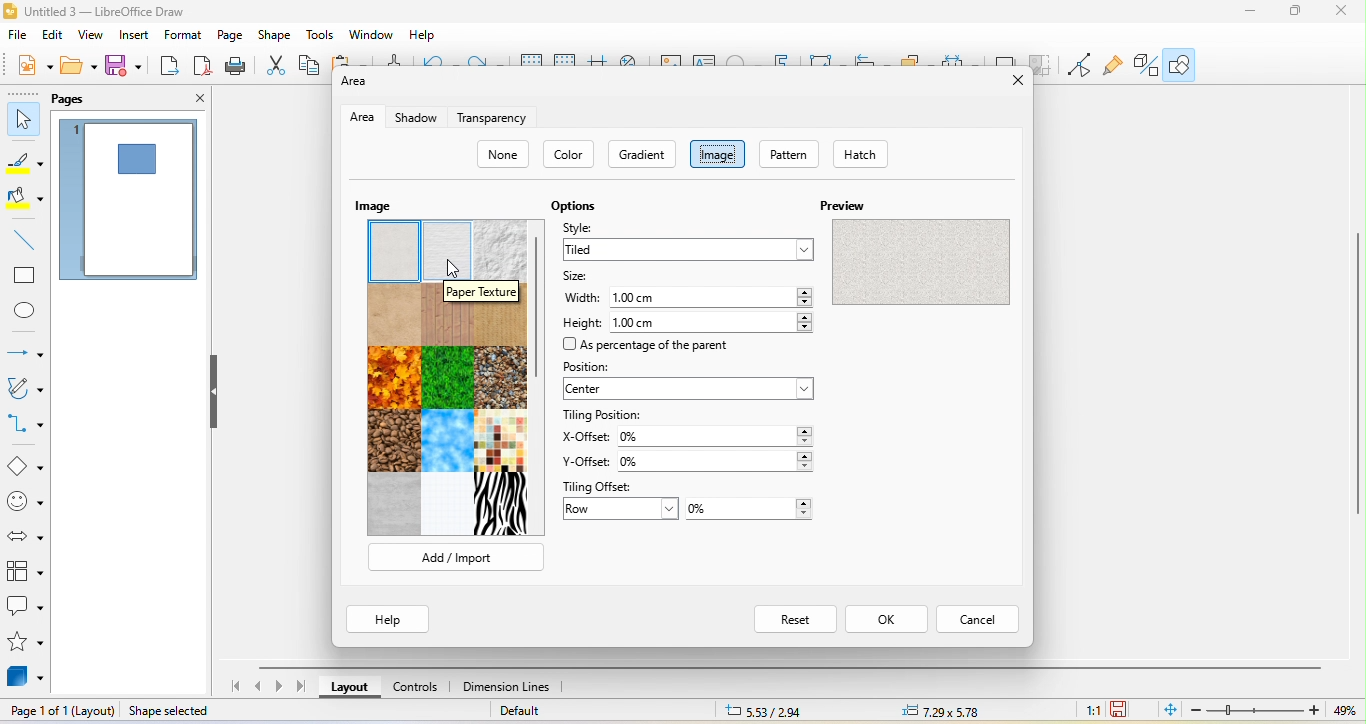 The height and width of the screenshot is (724, 1366). Describe the element at coordinates (743, 59) in the screenshot. I see `special character` at that location.